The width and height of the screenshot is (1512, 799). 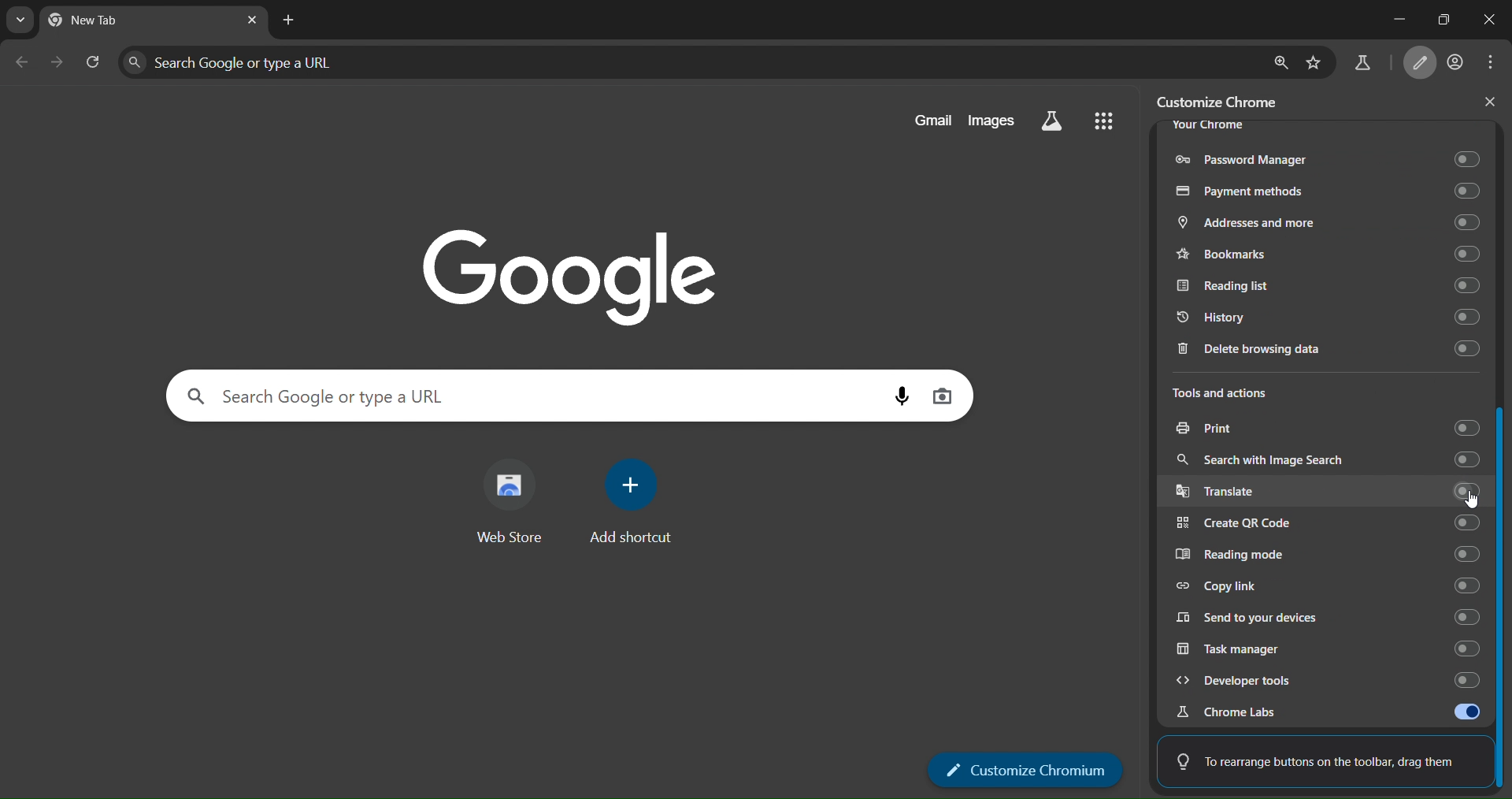 What do you see at coordinates (22, 61) in the screenshot?
I see `go back one page` at bounding box center [22, 61].